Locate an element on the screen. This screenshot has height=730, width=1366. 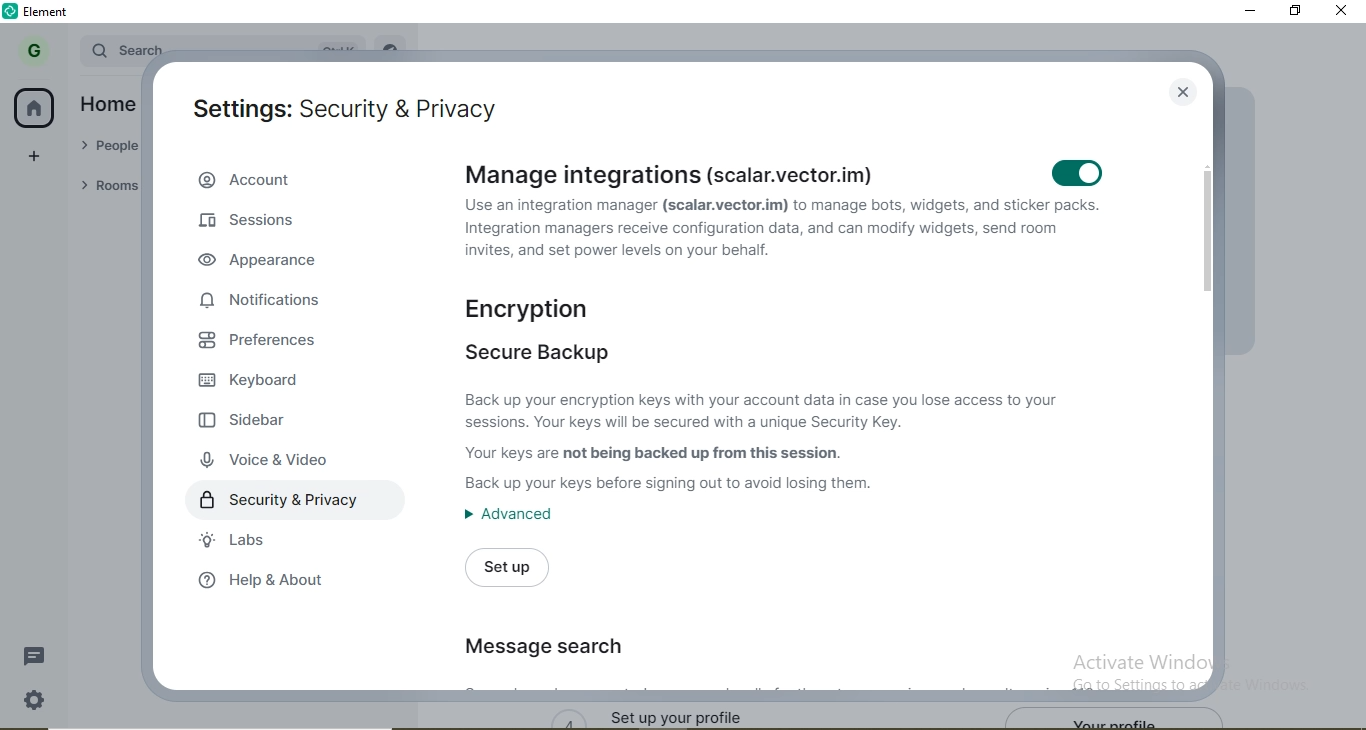
People is located at coordinates (107, 144).